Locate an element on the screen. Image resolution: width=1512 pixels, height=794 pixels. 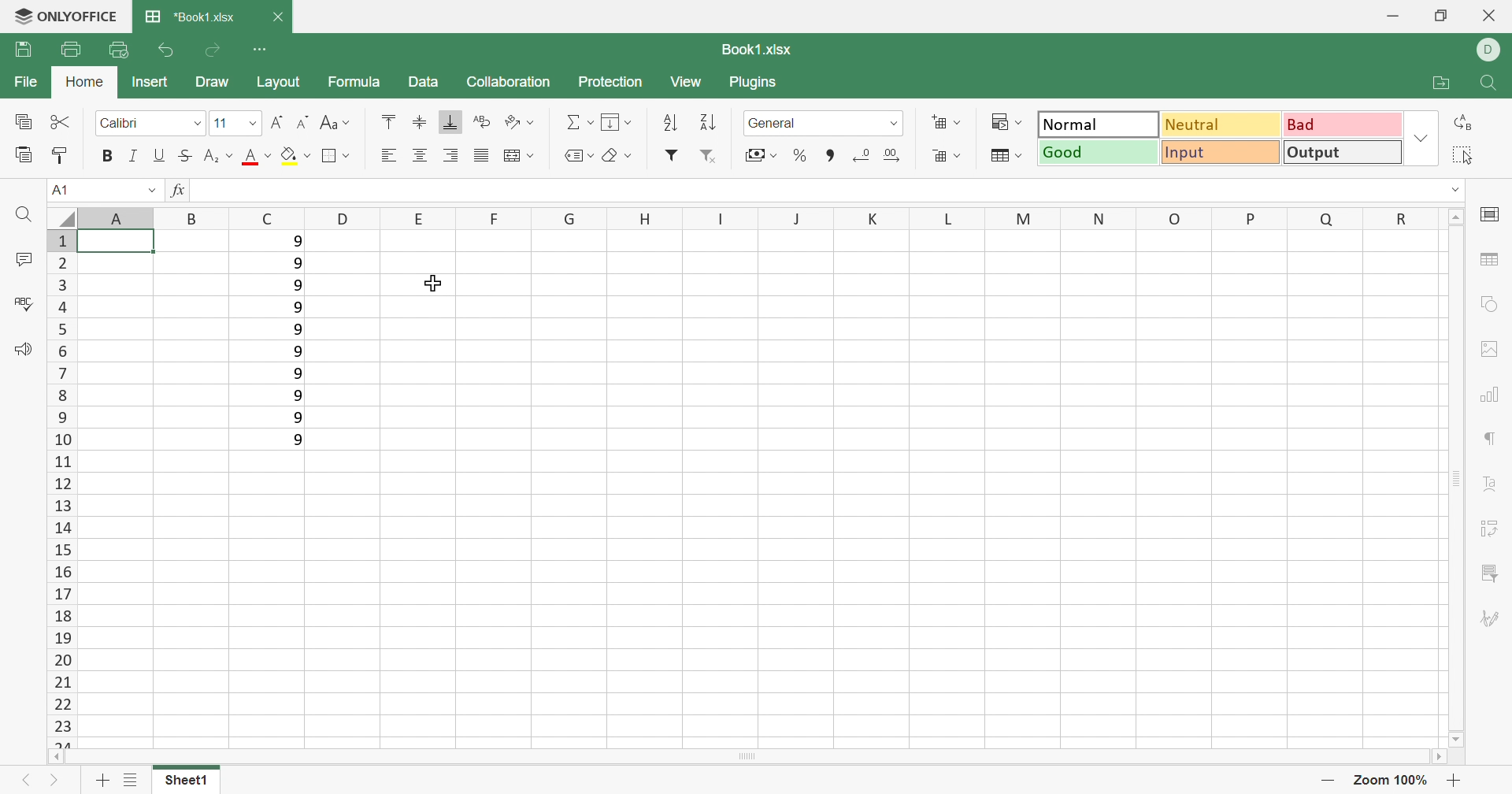
Drop Down is located at coordinates (196, 122).